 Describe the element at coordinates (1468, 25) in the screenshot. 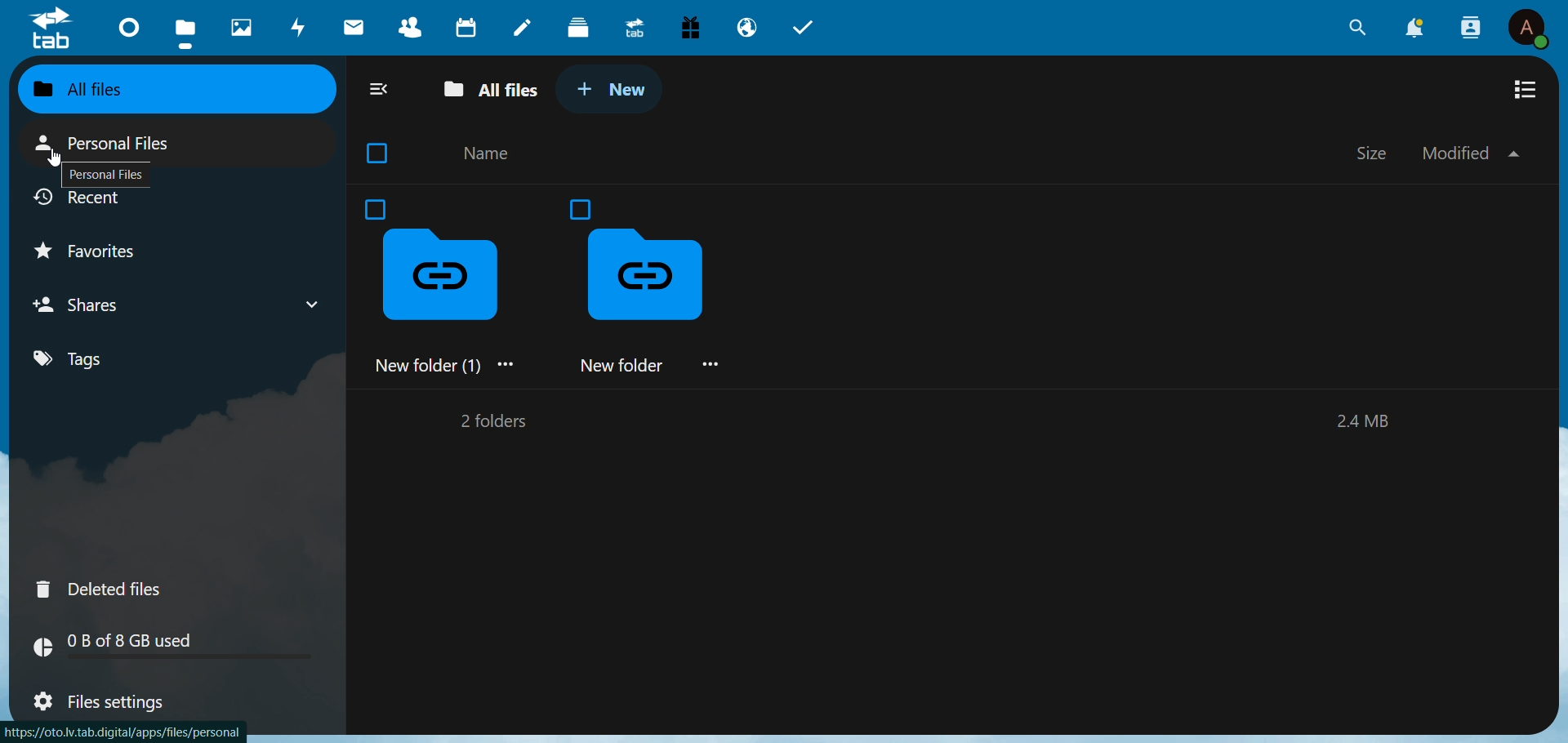

I see `search contact` at that location.